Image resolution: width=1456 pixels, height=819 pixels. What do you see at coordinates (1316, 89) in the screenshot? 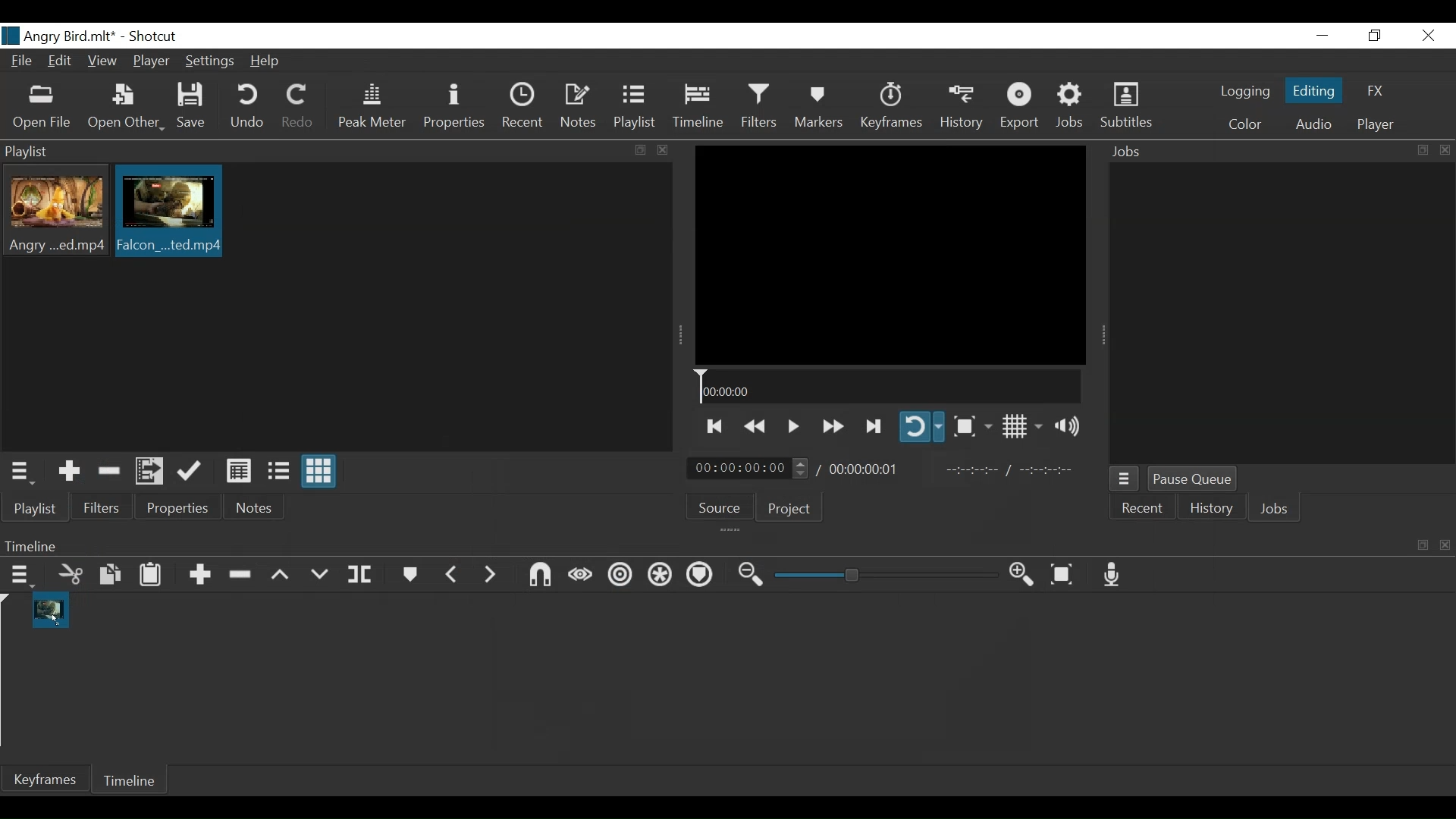
I see `Editing` at bounding box center [1316, 89].